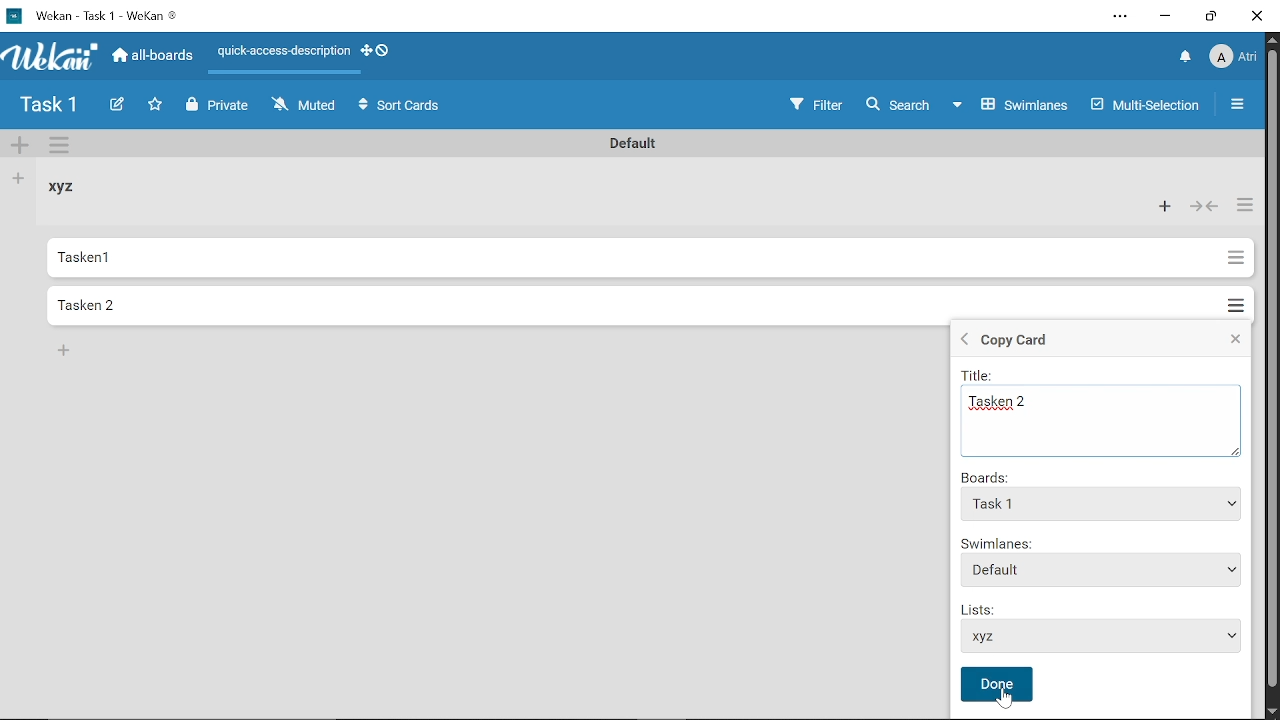  I want to click on Search, so click(900, 104).